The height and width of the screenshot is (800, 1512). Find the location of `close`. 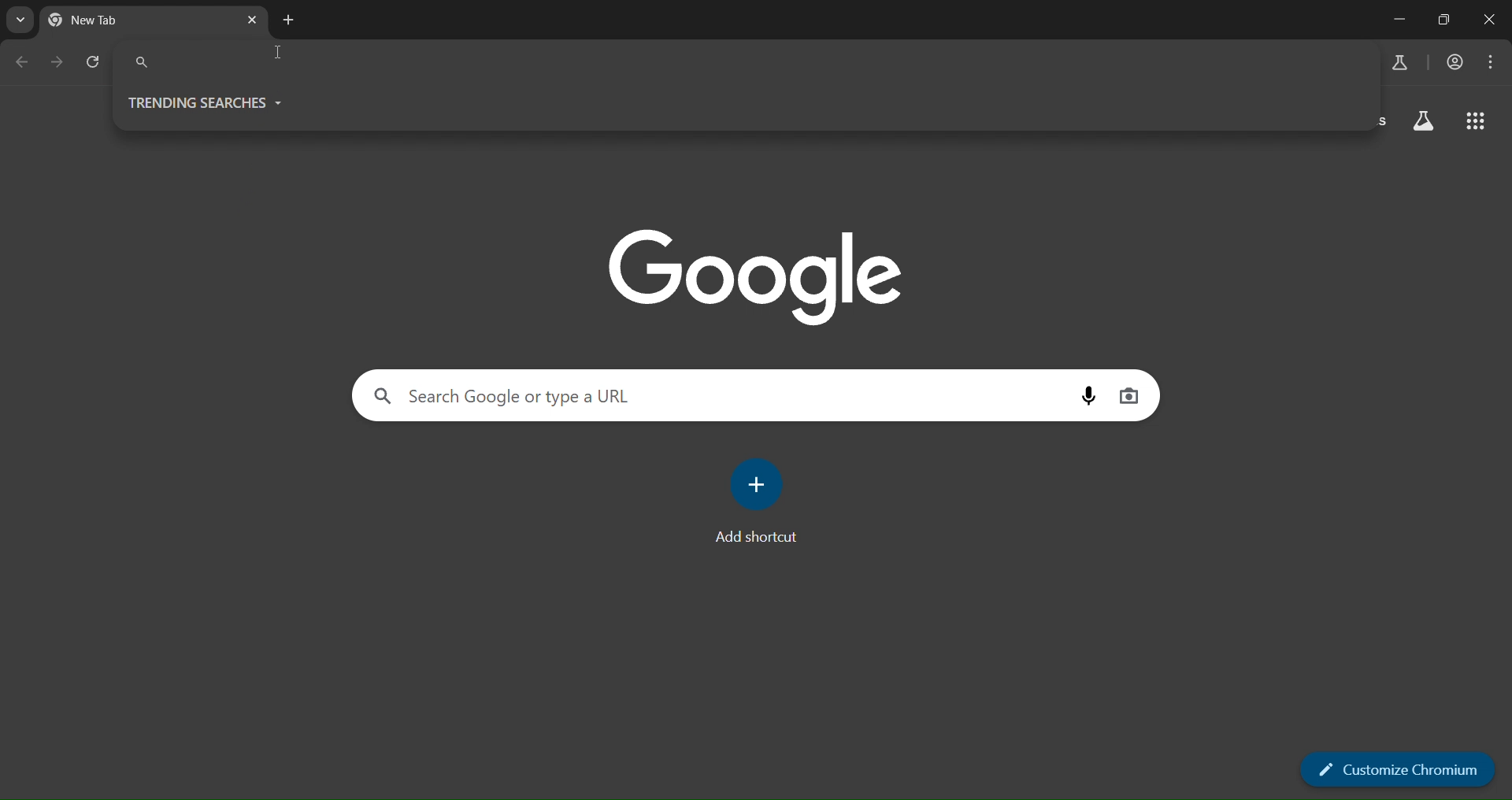

close is located at coordinates (1490, 20).